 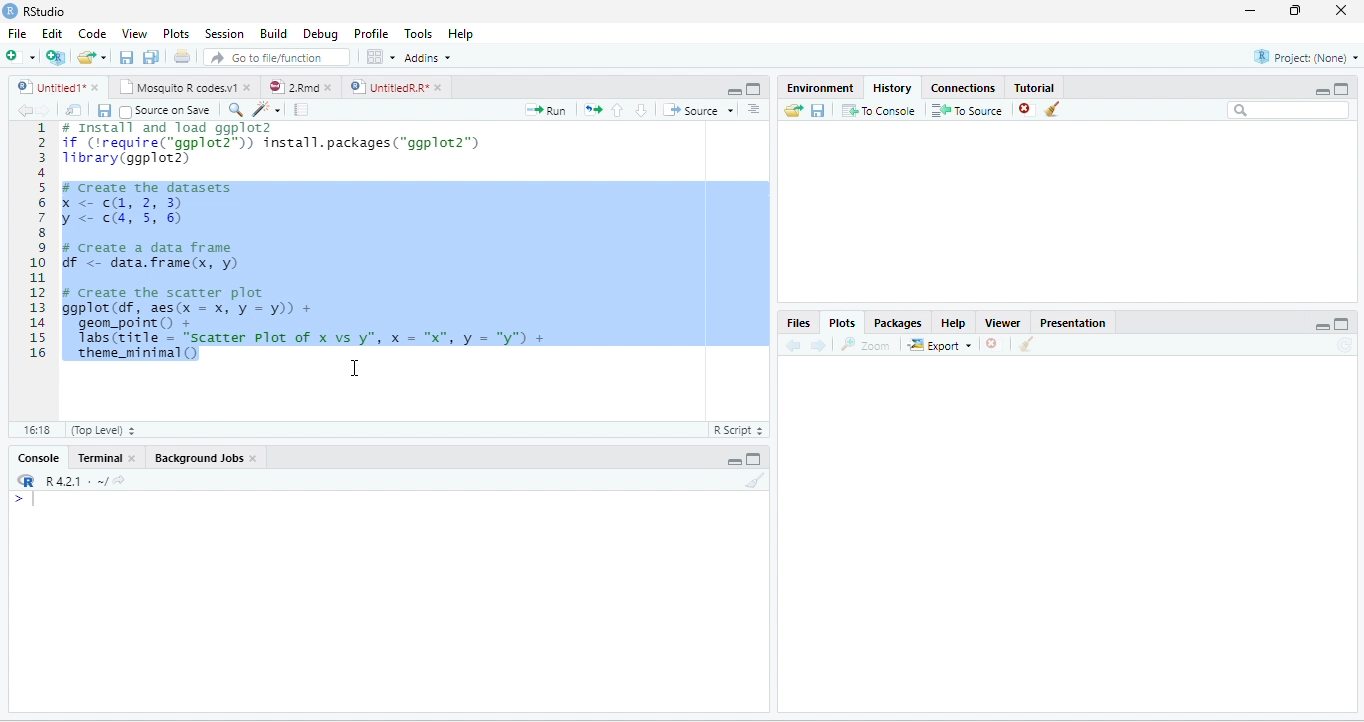 I want to click on Export, so click(x=939, y=345).